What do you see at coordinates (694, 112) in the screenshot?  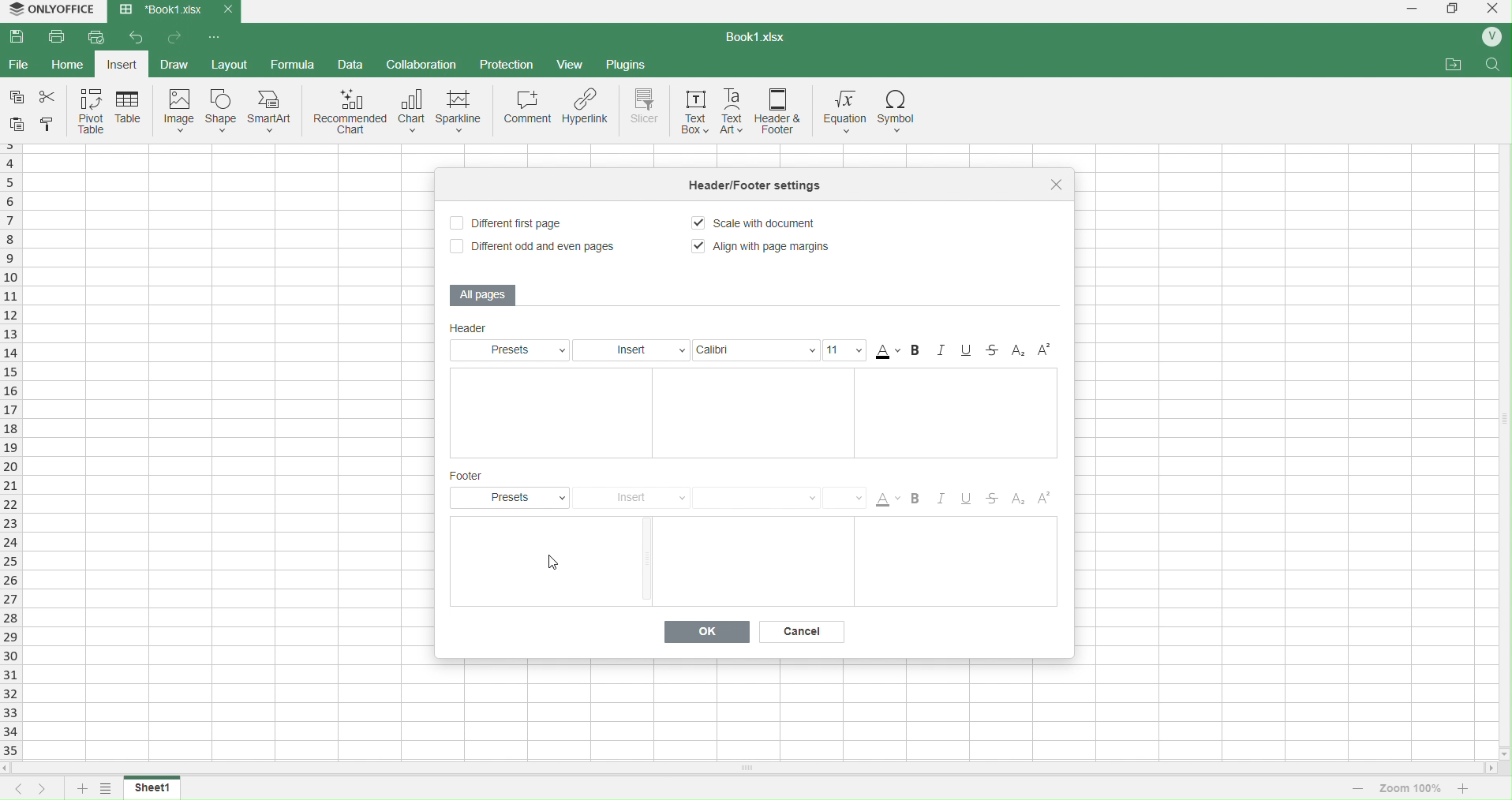 I see `text box` at bounding box center [694, 112].